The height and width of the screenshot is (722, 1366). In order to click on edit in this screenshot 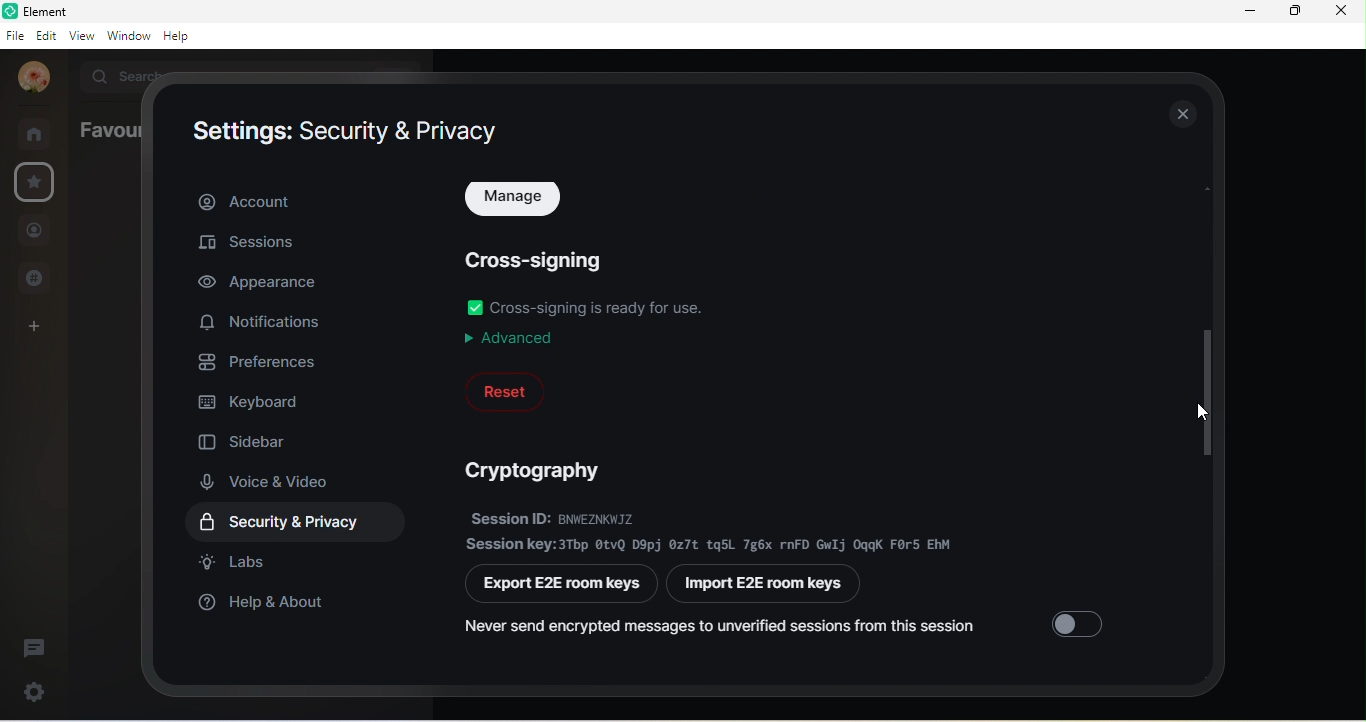, I will do `click(47, 36)`.